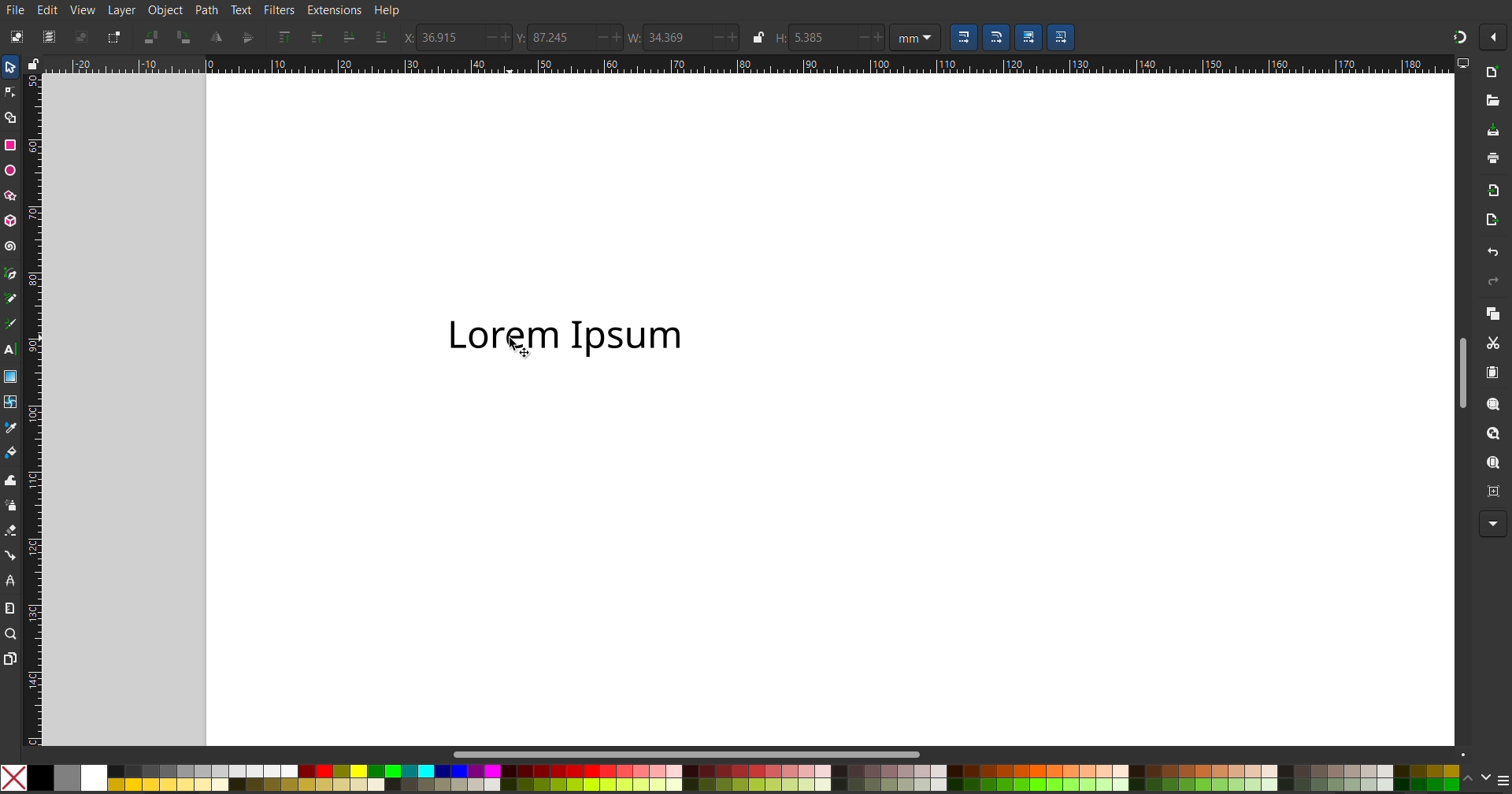 This screenshot has height=794, width=1512. Describe the element at coordinates (14, 35) in the screenshot. I see `Select Object` at that location.